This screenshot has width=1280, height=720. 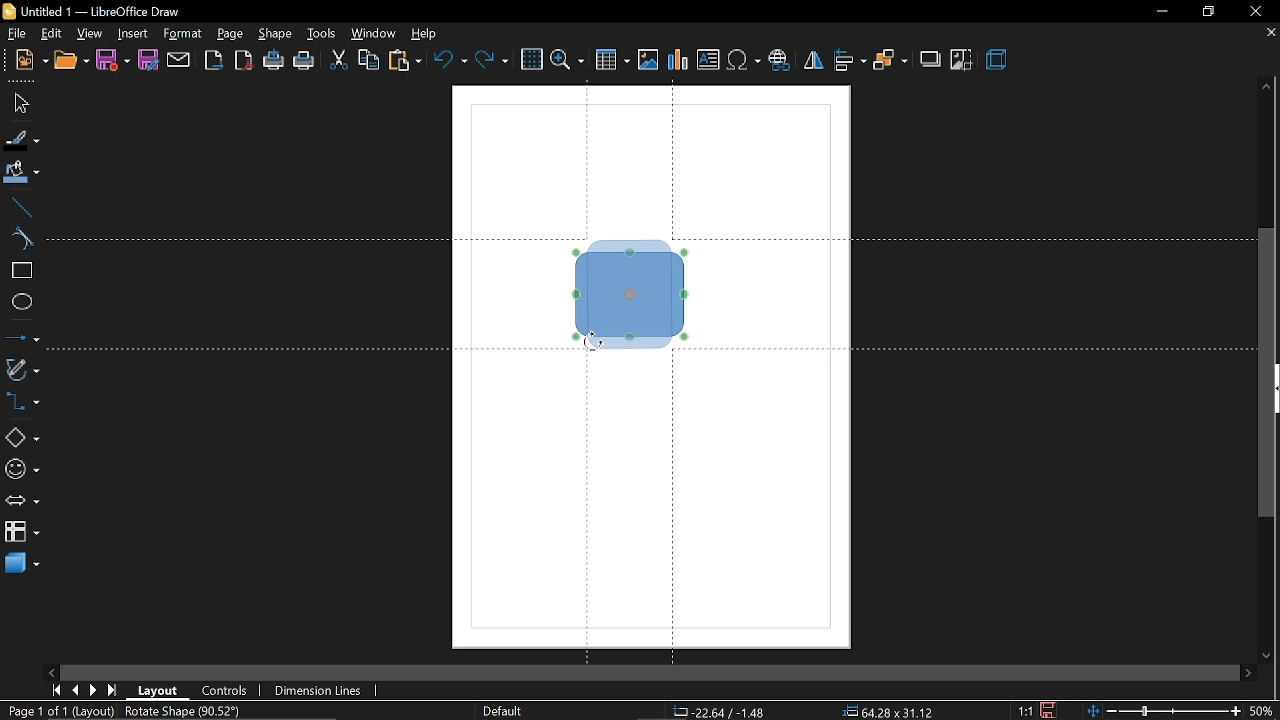 I want to click on flowchart, so click(x=22, y=532).